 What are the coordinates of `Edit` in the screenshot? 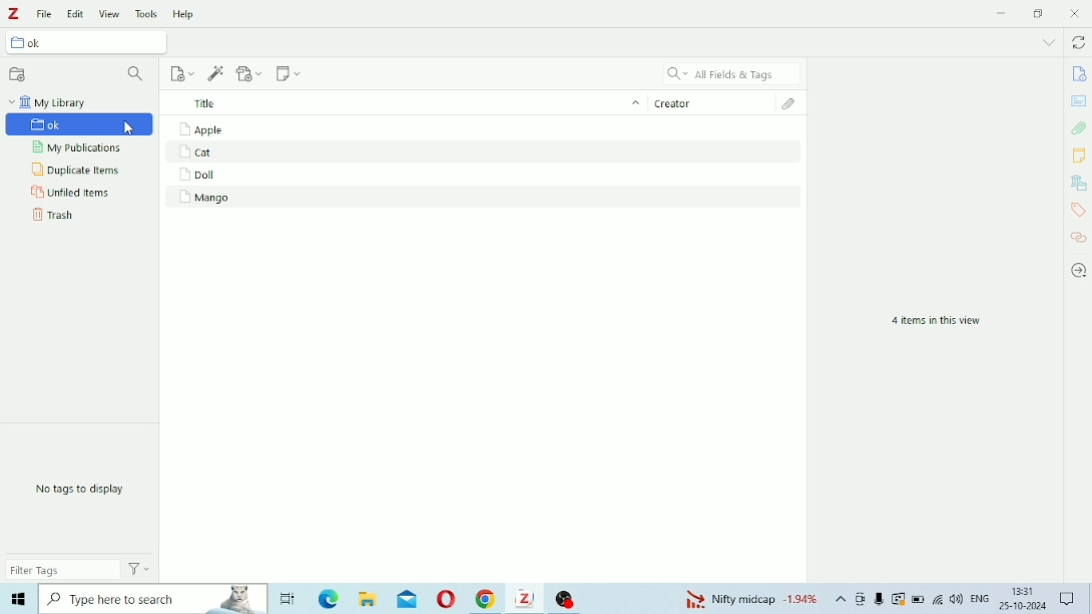 It's located at (74, 14).